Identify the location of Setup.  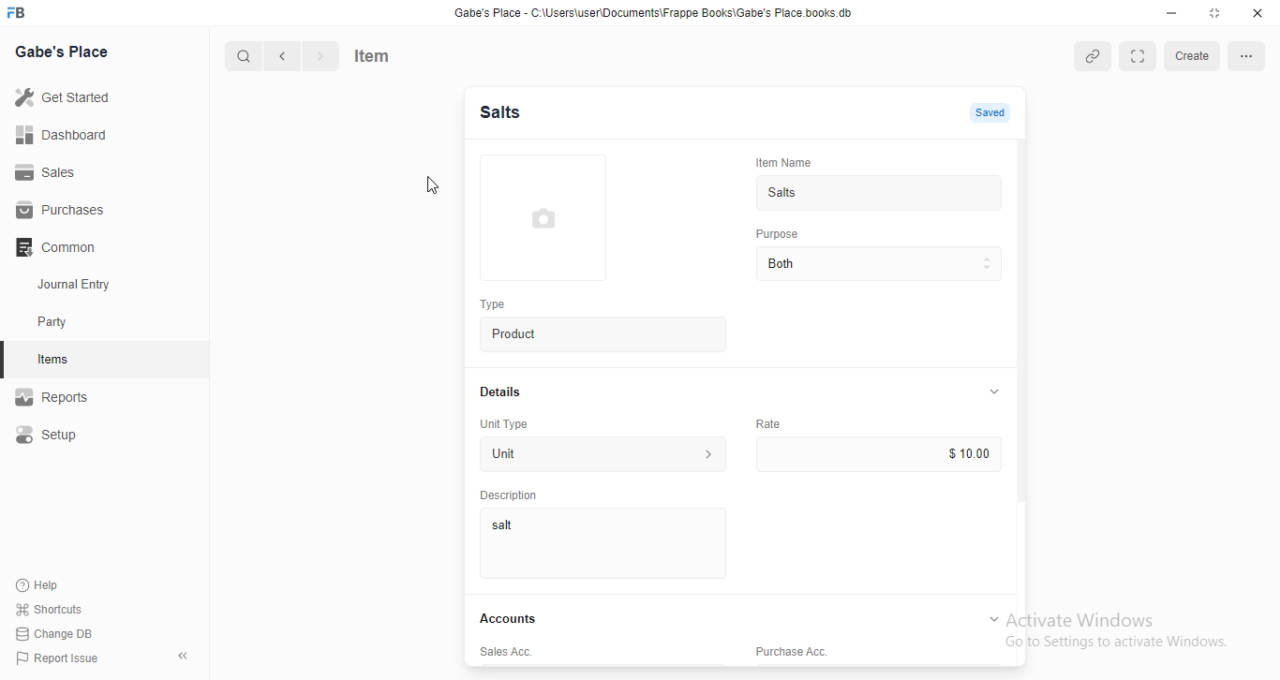
(50, 437).